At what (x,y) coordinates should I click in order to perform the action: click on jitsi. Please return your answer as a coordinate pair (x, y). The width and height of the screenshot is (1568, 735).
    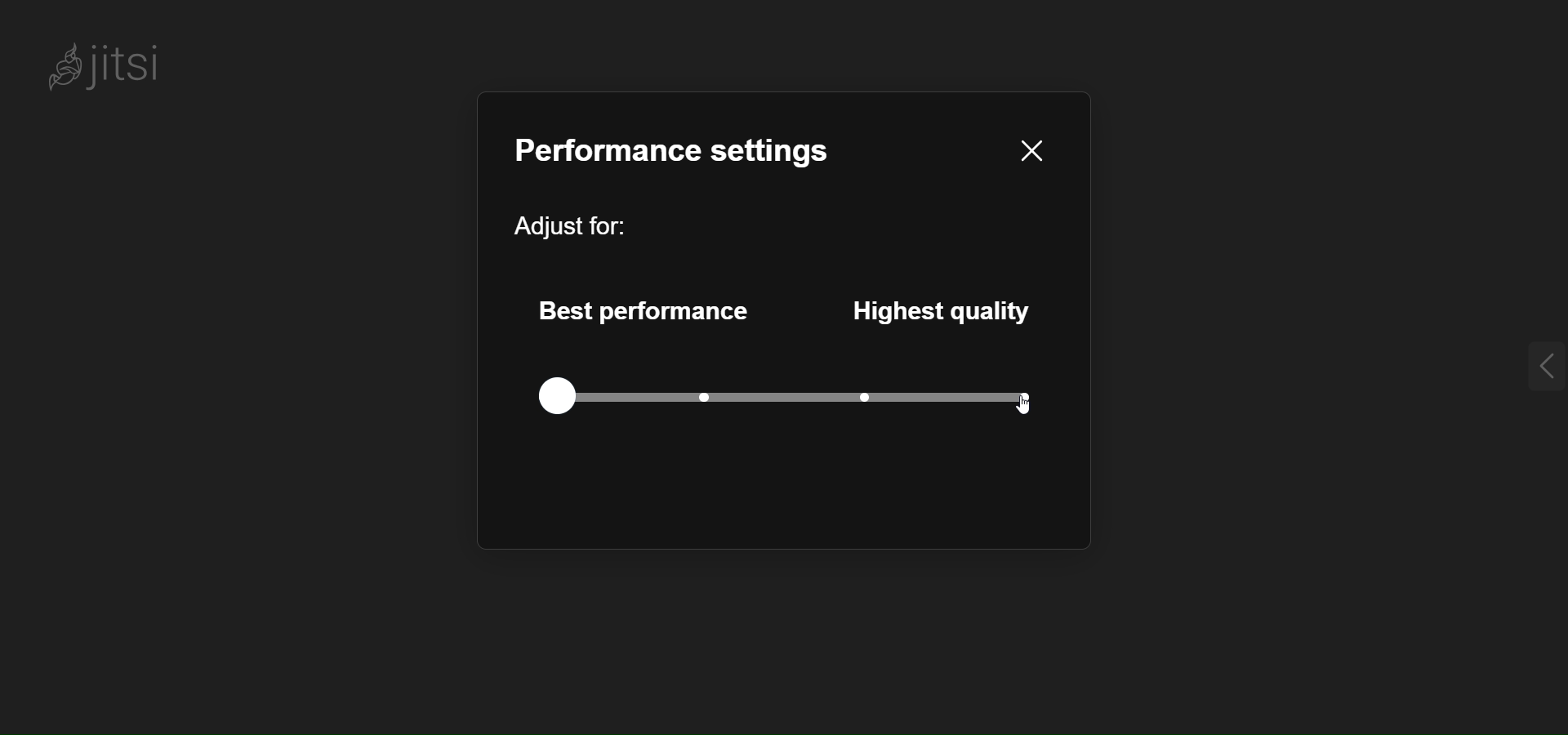
    Looking at the image, I should click on (111, 60).